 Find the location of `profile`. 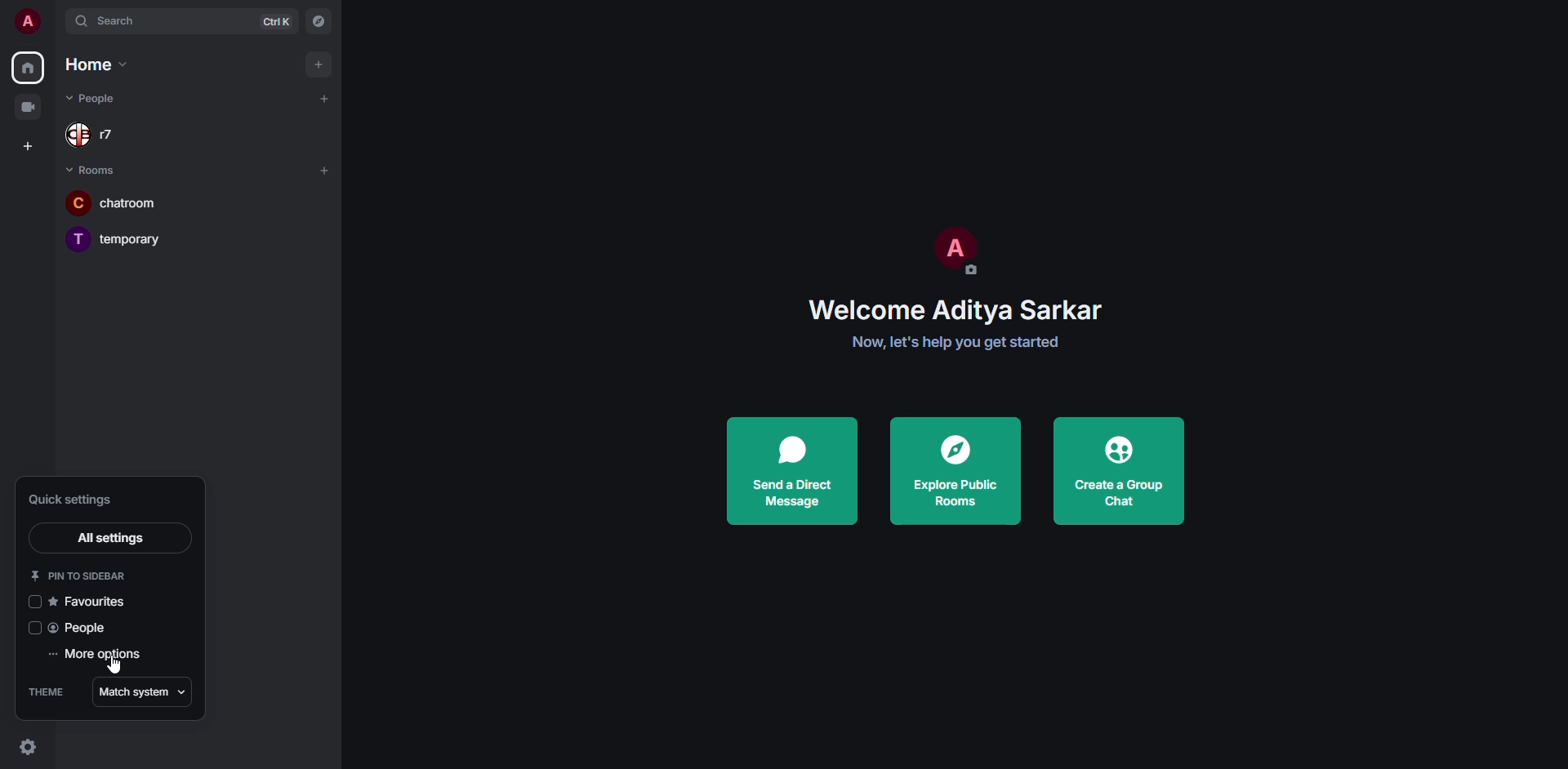

profile is located at coordinates (30, 20).